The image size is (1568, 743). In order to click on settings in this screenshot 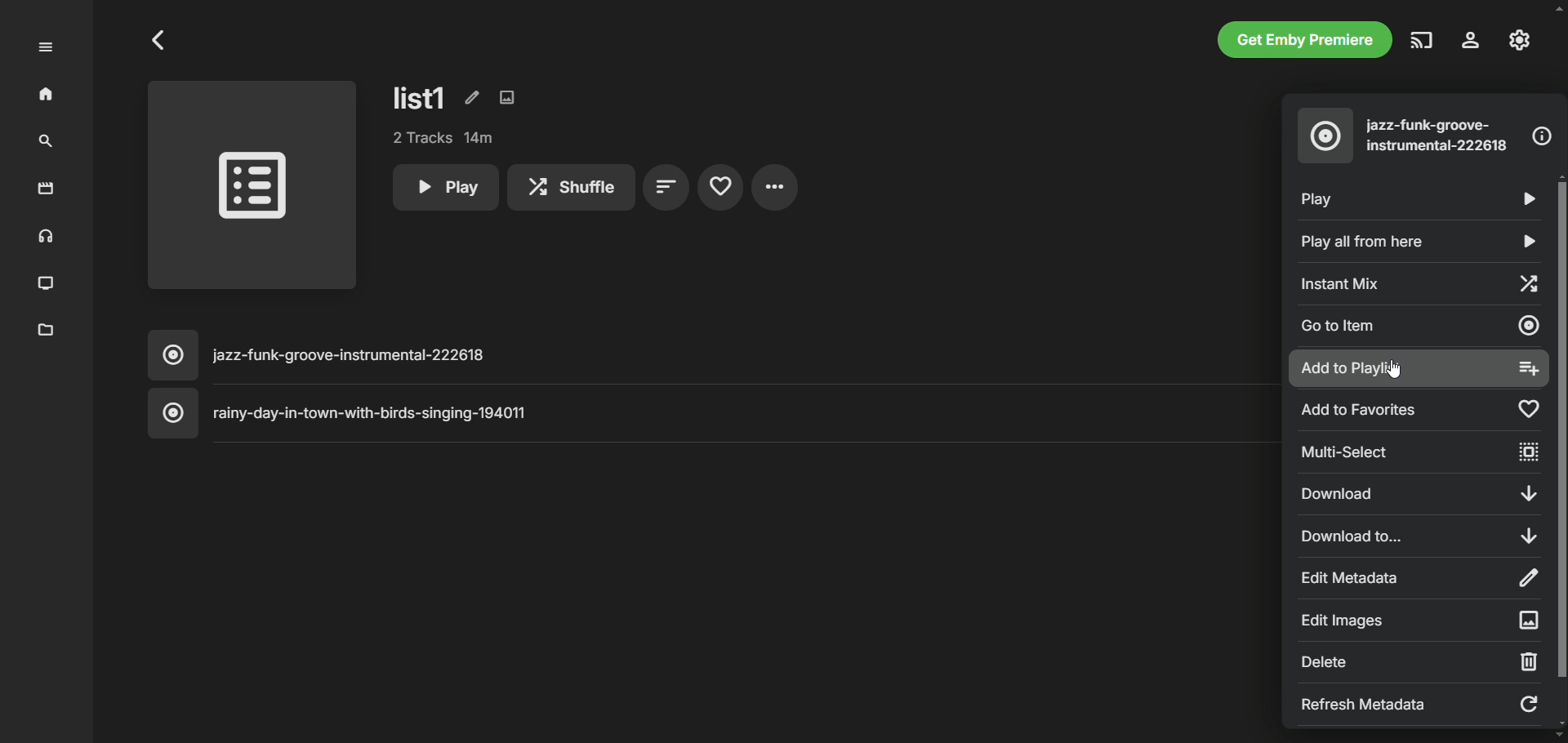, I will do `click(1472, 40)`.